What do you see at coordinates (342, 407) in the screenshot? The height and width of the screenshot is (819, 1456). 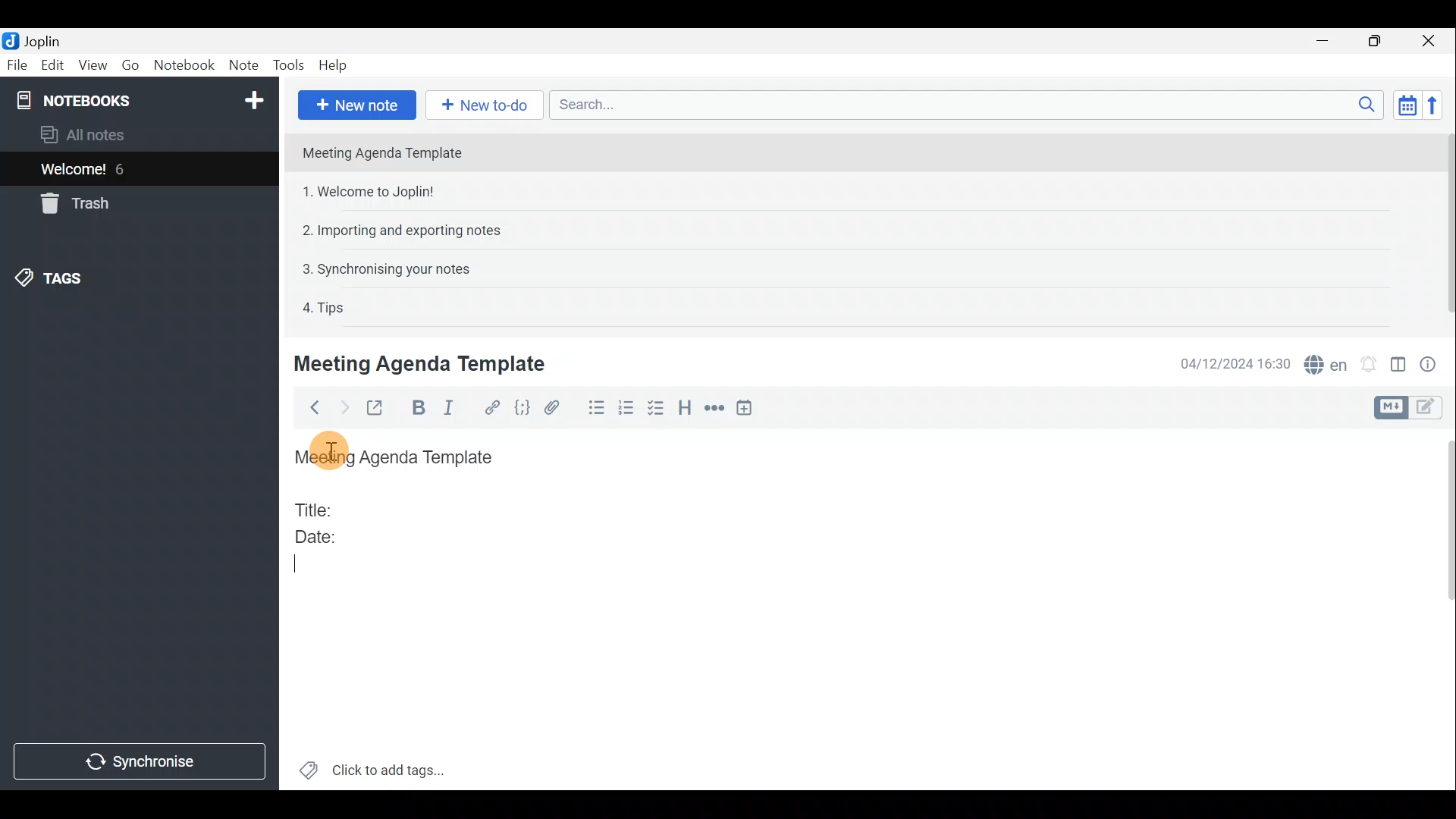 I see `Forward` at bounding box center [342, 407].